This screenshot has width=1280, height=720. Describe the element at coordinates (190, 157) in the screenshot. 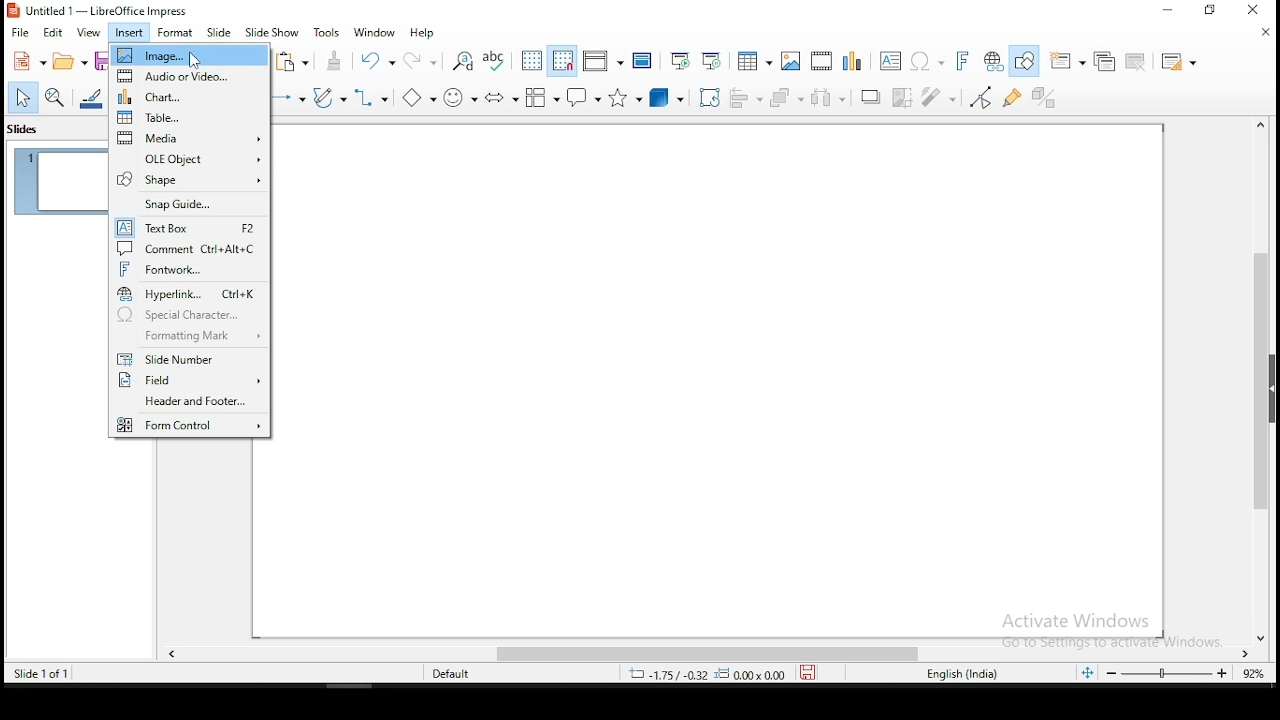

I see `OLE project` at that location.